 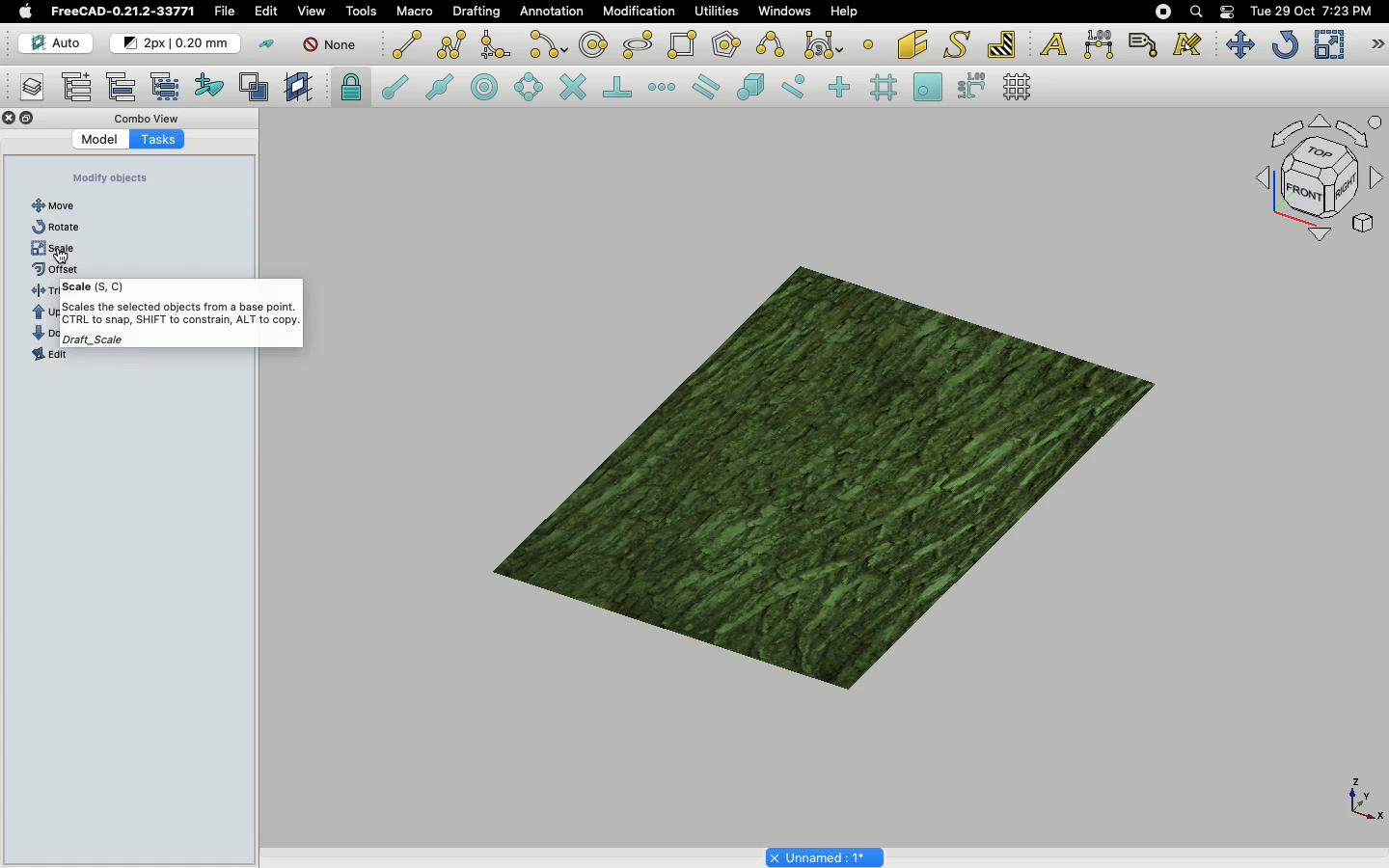 What do you see at coordinates (724, 45) in the screenshot?
I see `Polygon` at bounding box center [724, 45].